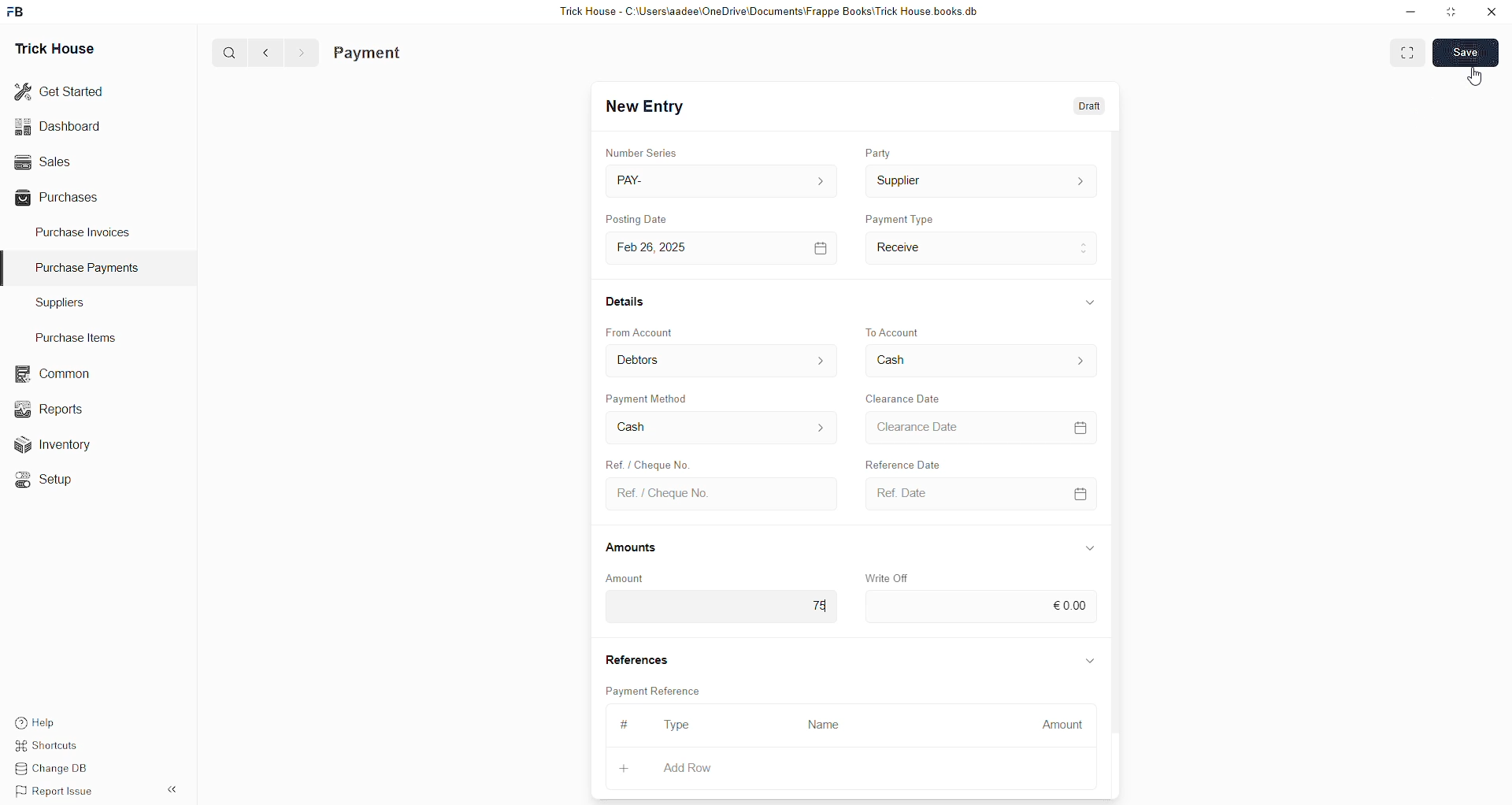 This screenshot has height=805, width=1512. What do you see at coordinates (1410, 13) in the screenshot?
I see `Minimize` at bounding box center [1410, 13].